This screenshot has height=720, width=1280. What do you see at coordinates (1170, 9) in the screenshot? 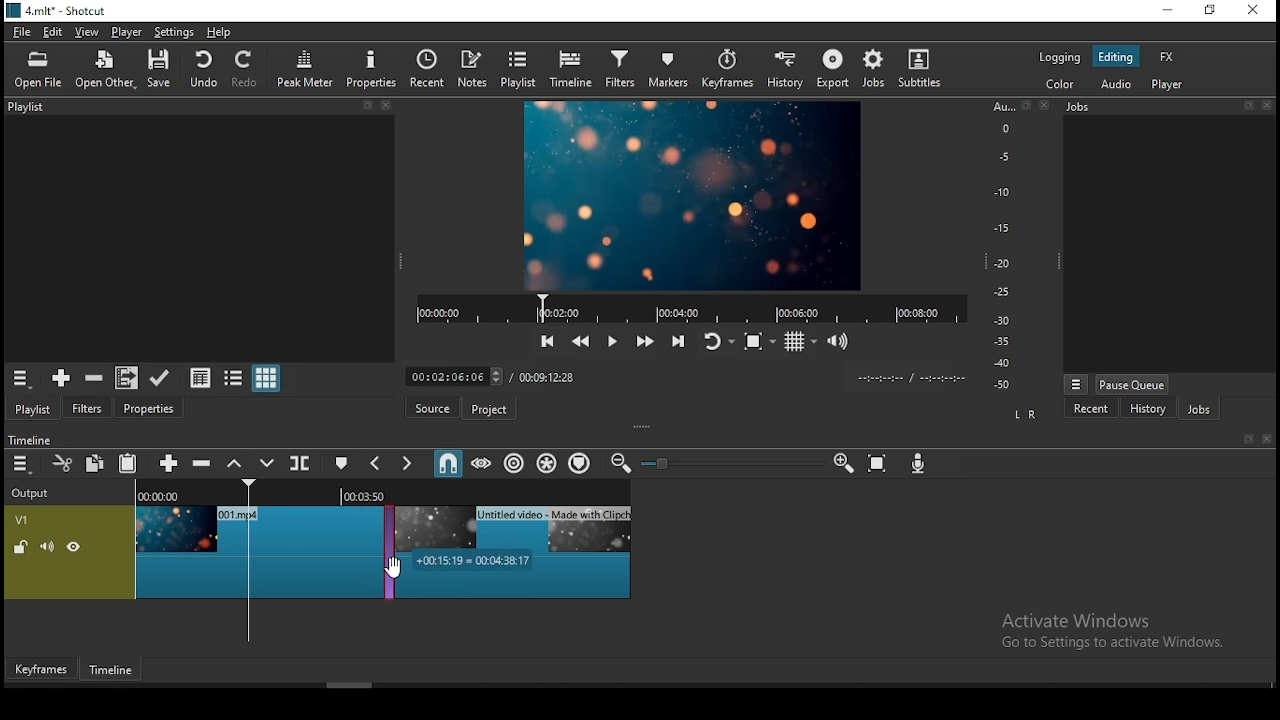
I see `minimize` at bounding box center [1170, 9].